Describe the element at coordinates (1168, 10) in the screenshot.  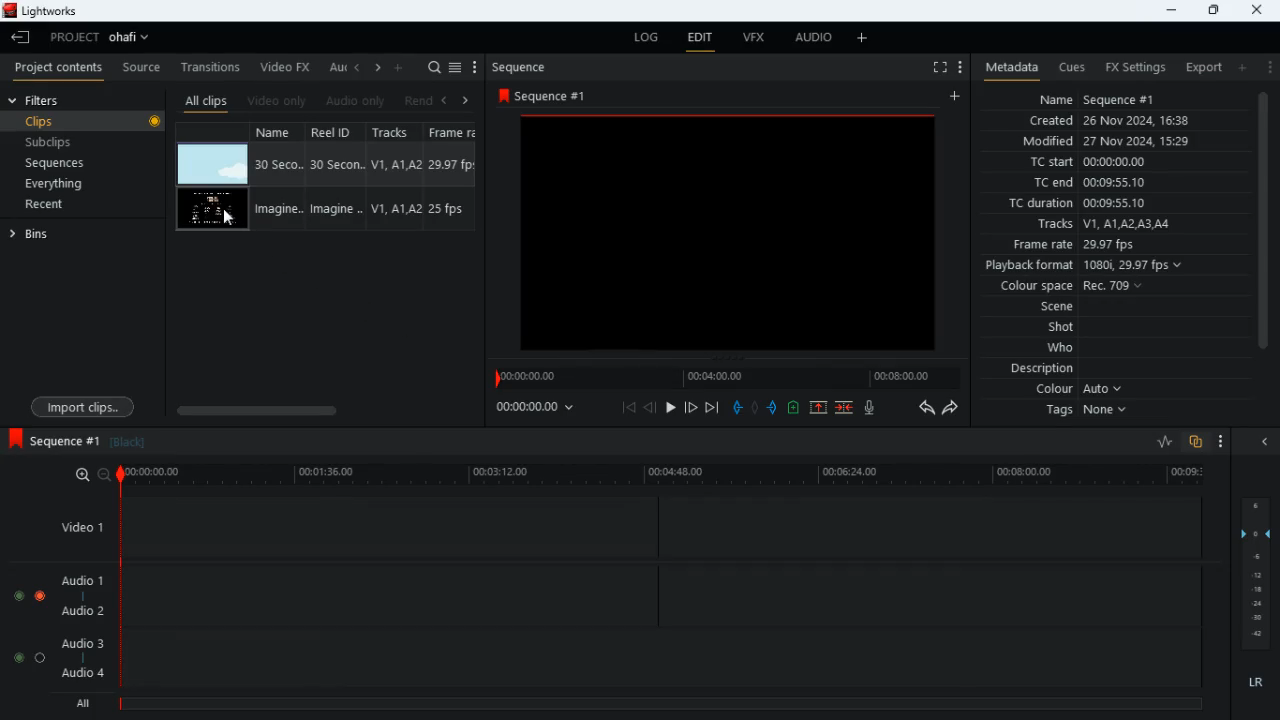
I see `minimize` at that location.